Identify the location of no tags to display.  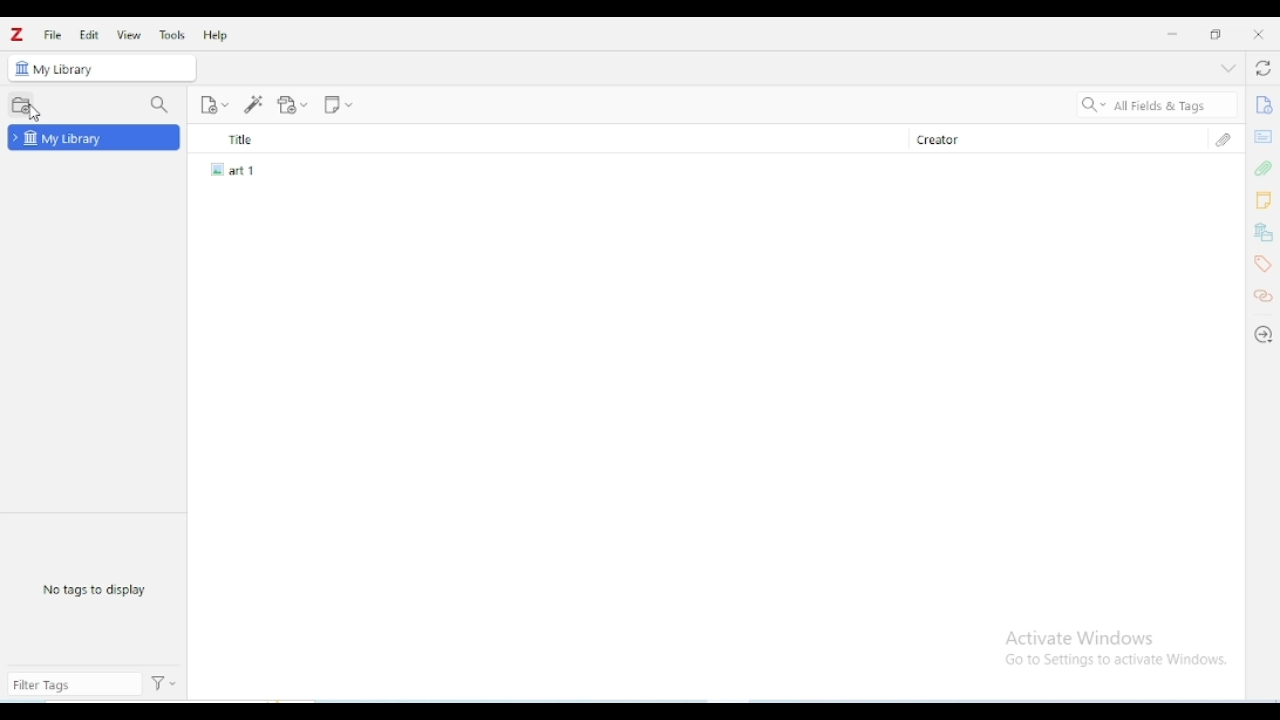
(94, 588).